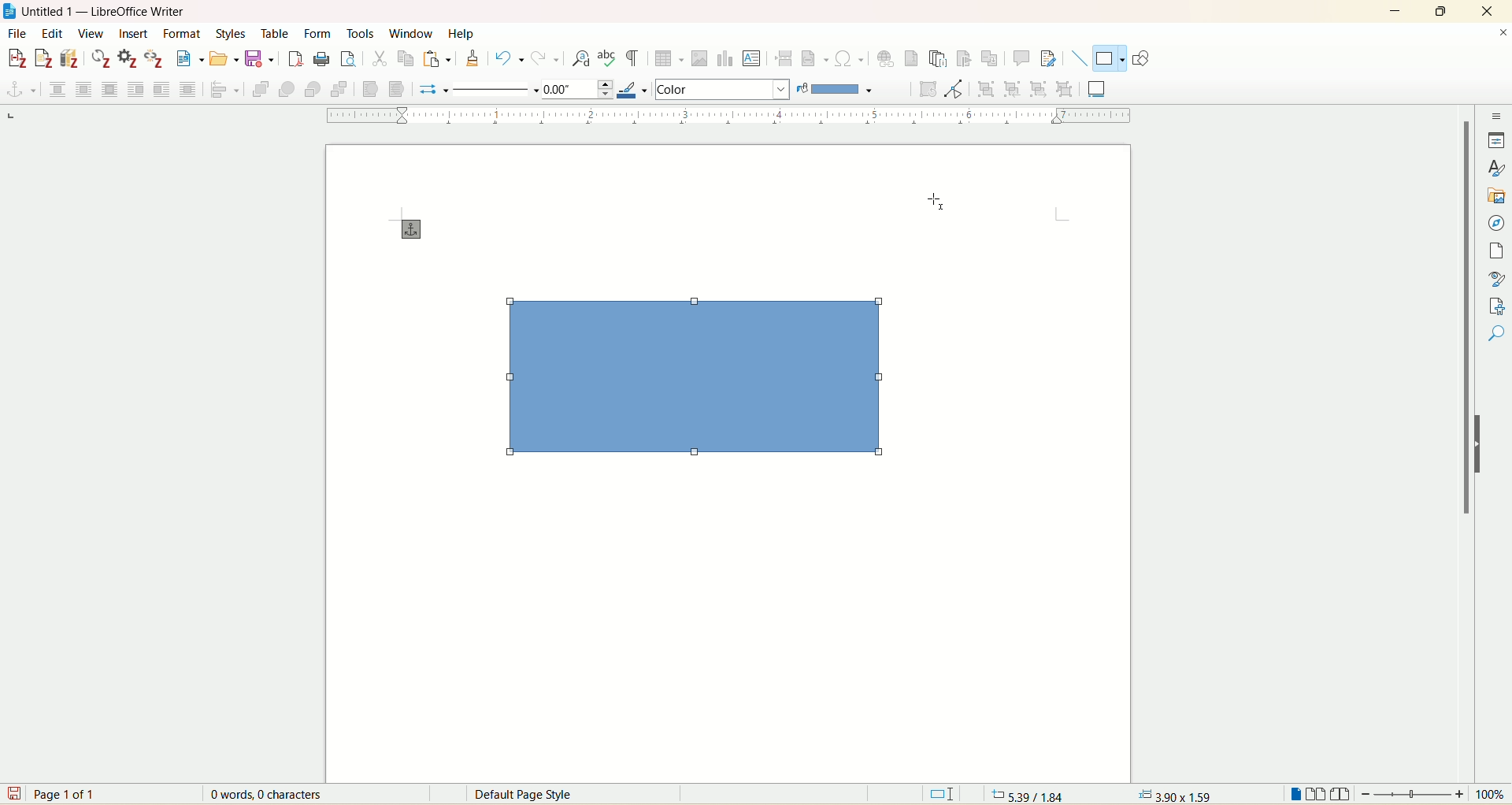  What do you see at coordinates (15, 59) in the screenshot?
I see `add citation` at bounding box center [15, 59].